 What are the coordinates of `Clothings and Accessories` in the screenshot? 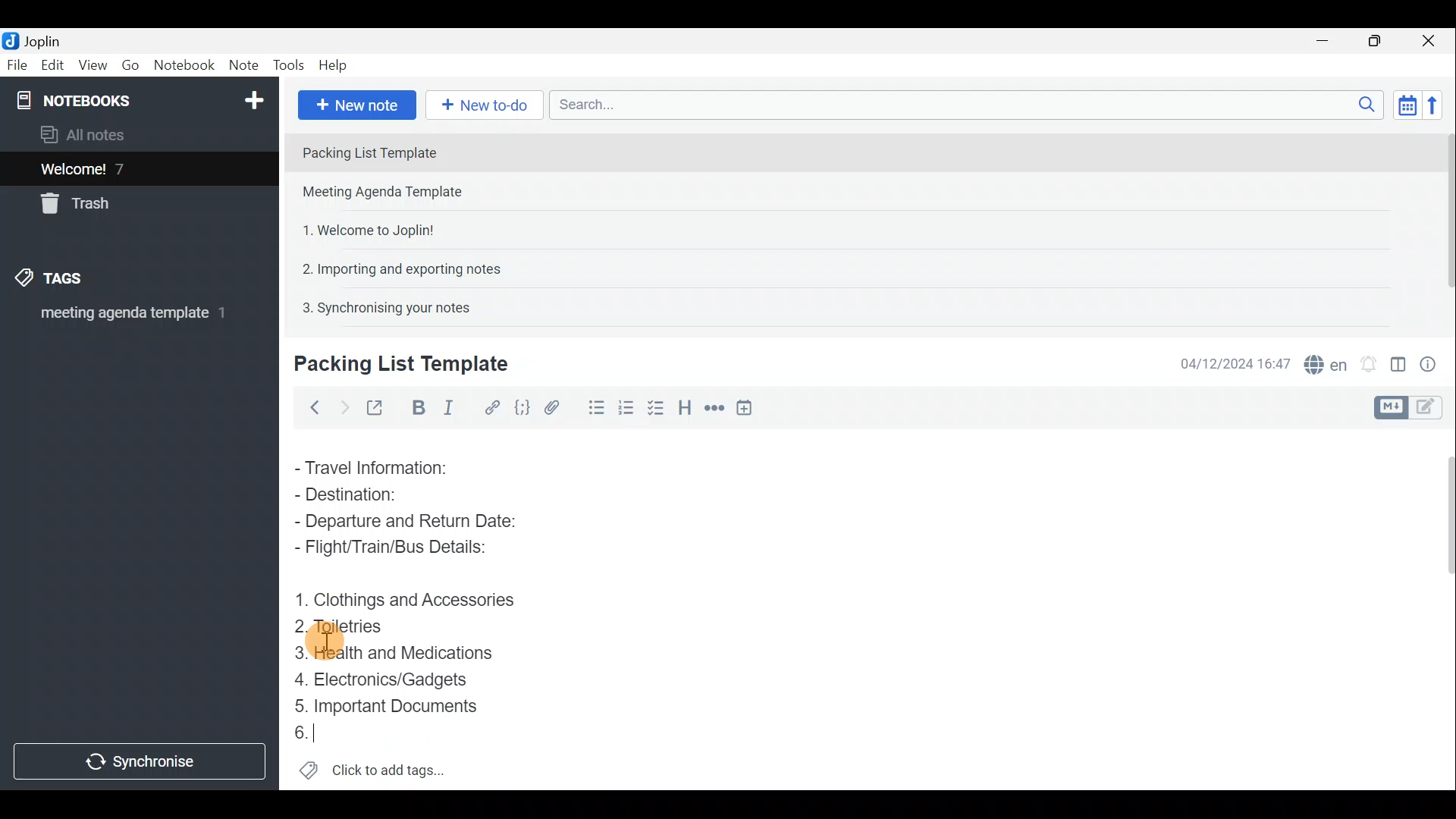 It's located at (408, 599).